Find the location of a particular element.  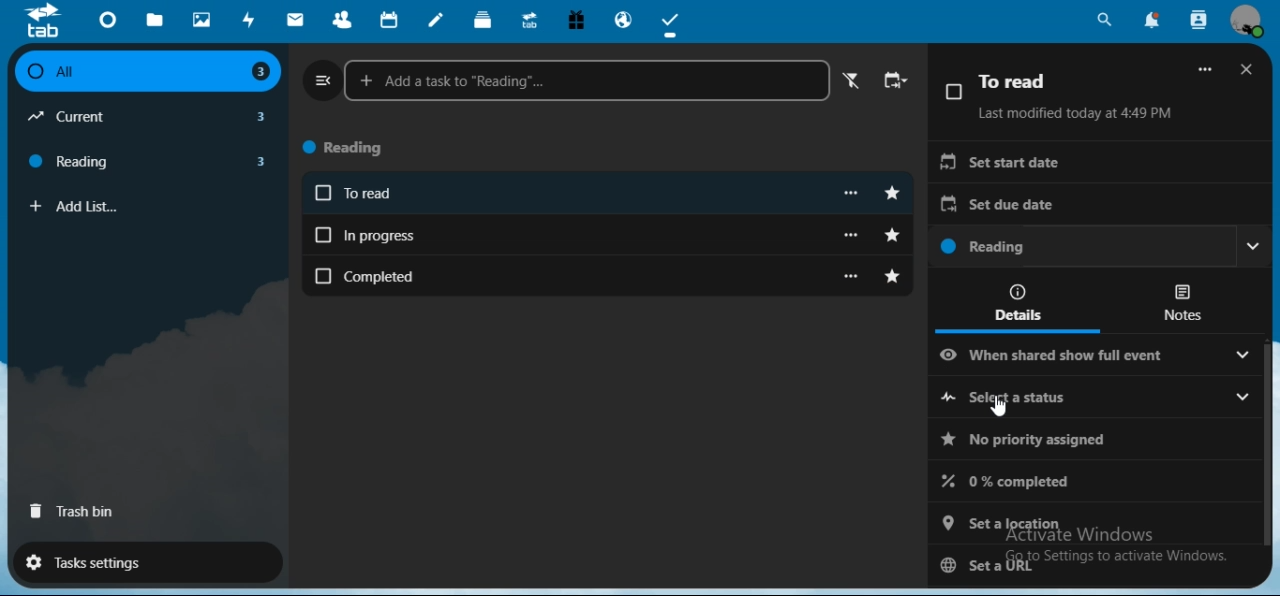

email hosting is located at coordinates (625, 21).